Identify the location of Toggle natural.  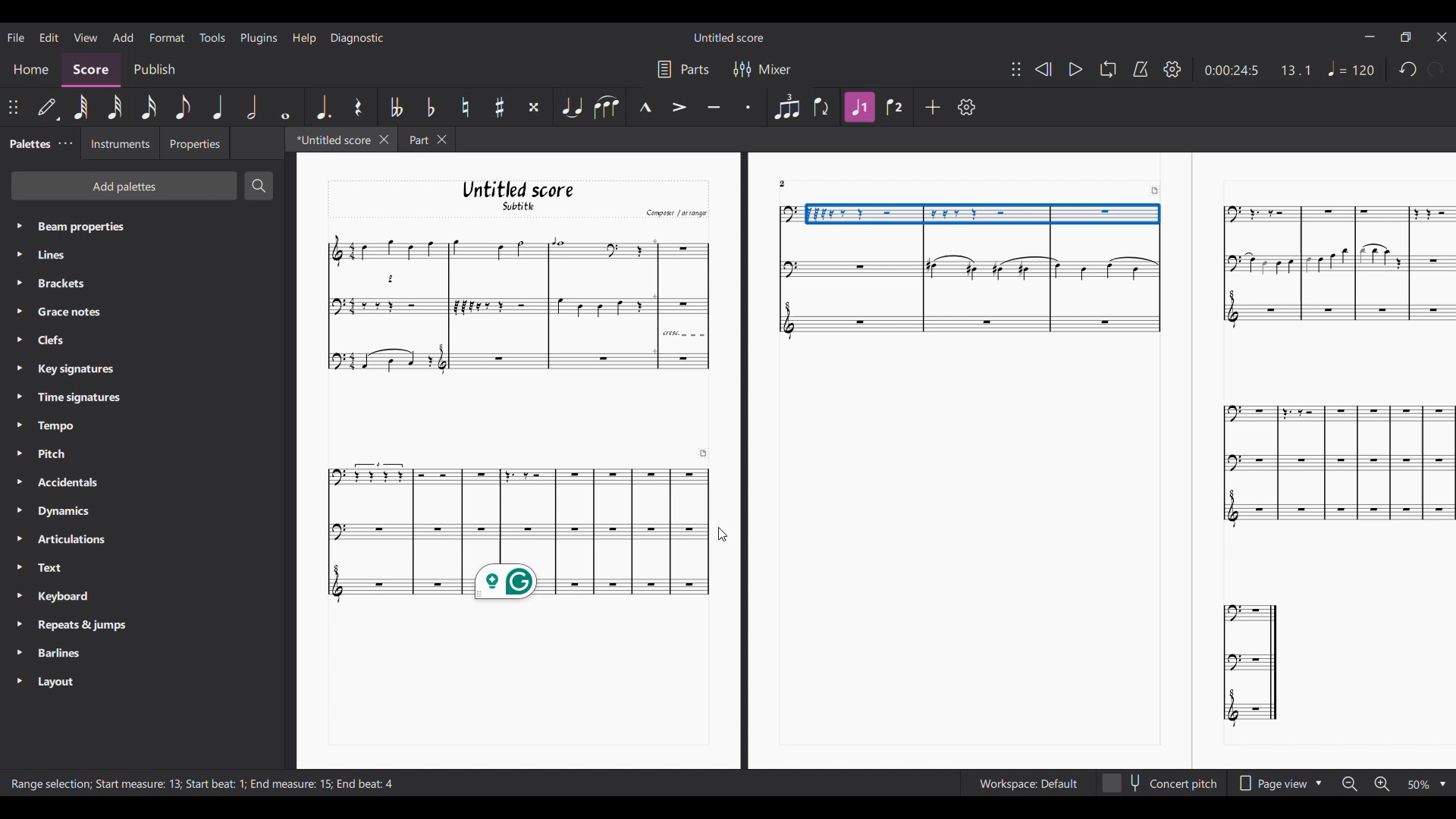
(465, 107).